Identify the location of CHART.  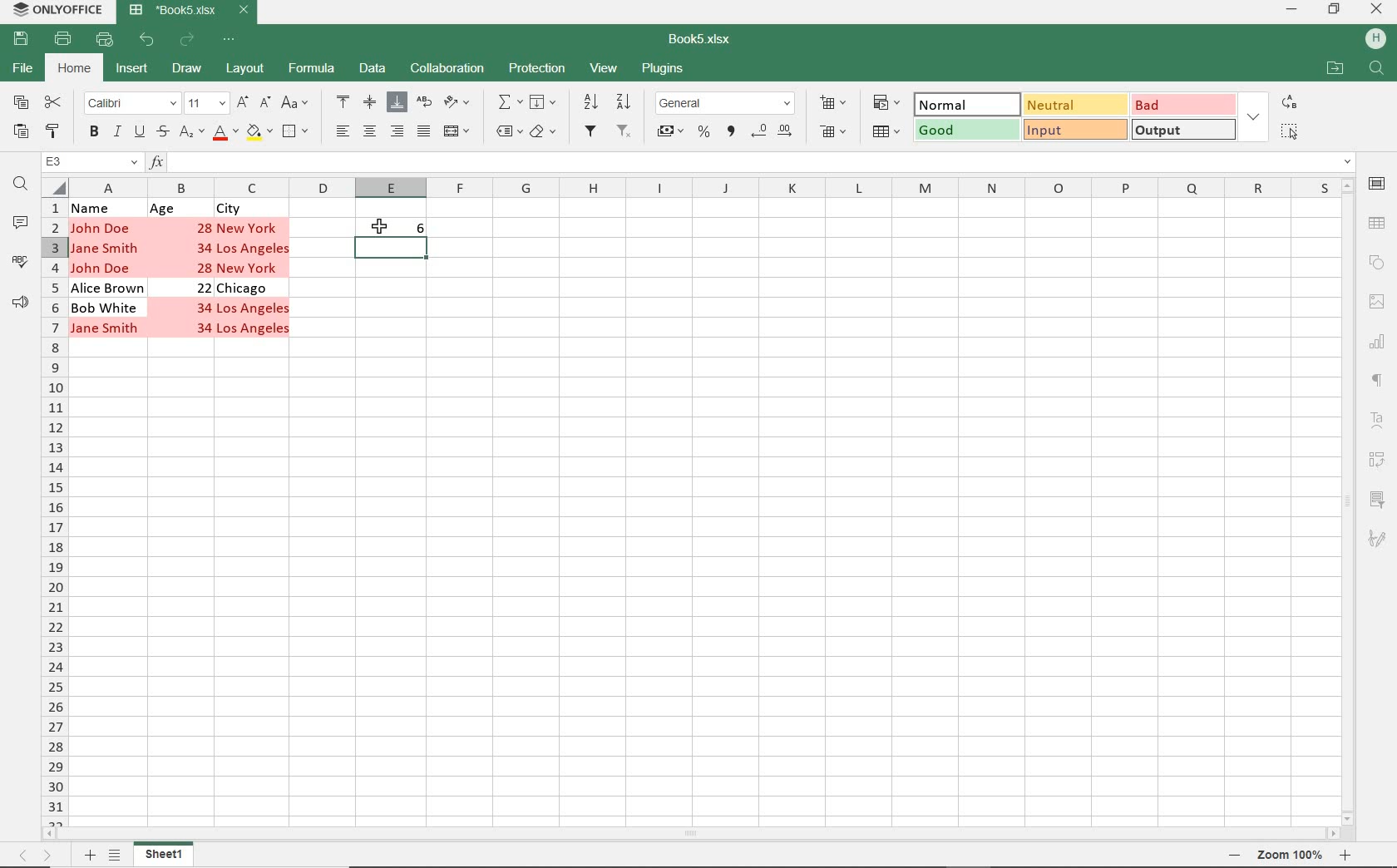
(1379, 340).